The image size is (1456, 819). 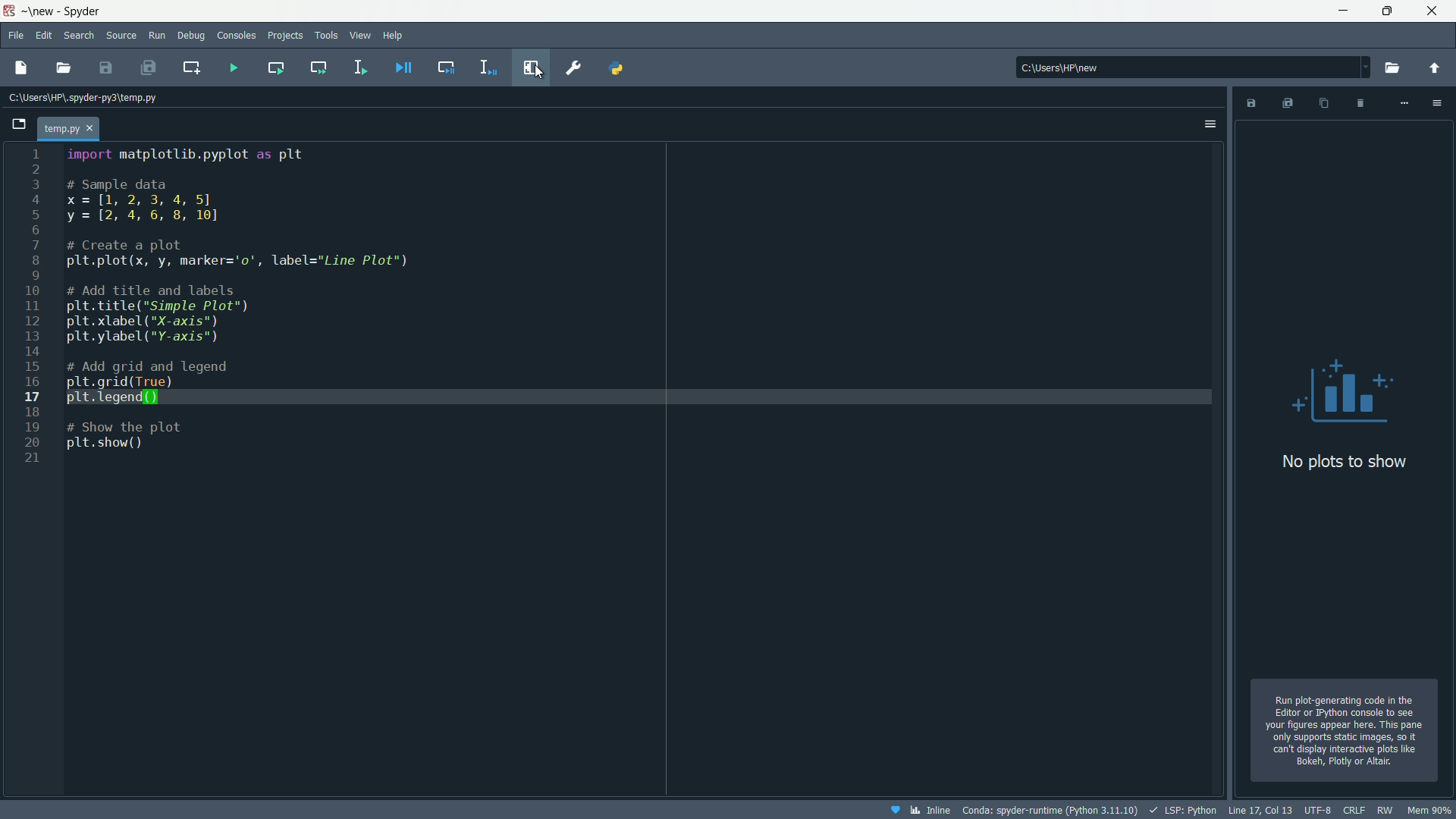 I want to click on maximize, so click(x=1390, y=11).